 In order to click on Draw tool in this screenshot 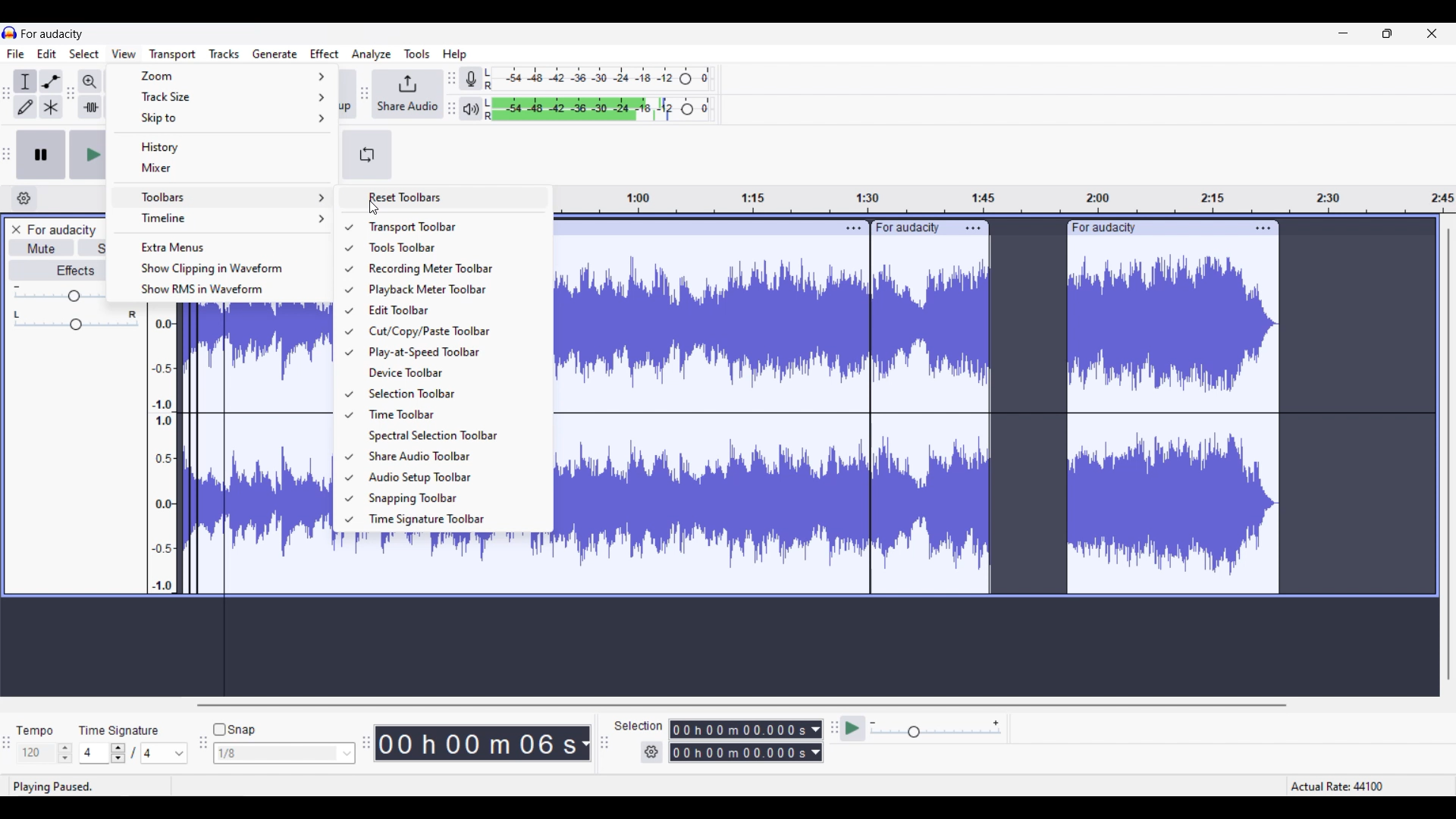, I will do `click(25, 107)`.